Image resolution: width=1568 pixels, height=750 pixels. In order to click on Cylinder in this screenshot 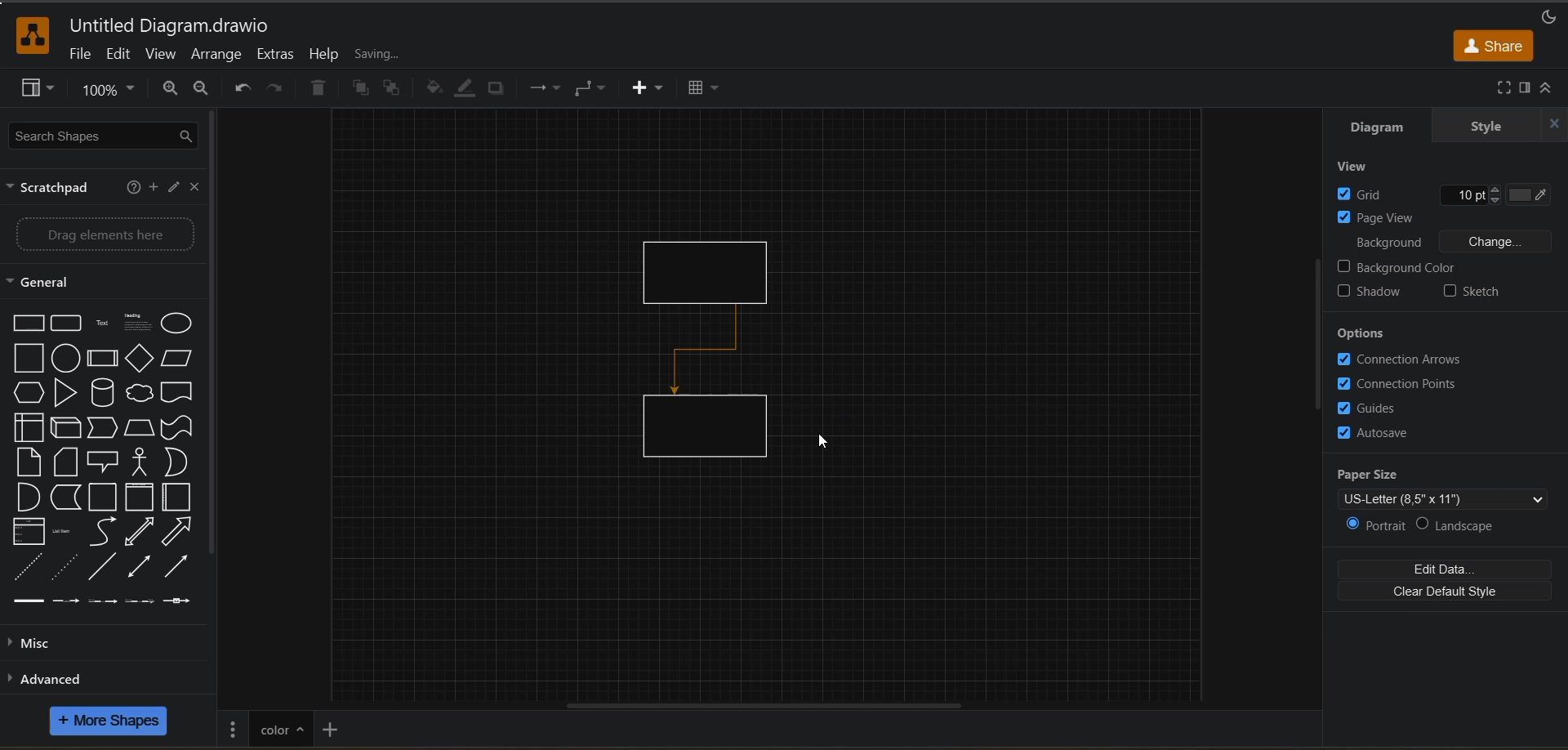, I will do `click(103, 393)`.